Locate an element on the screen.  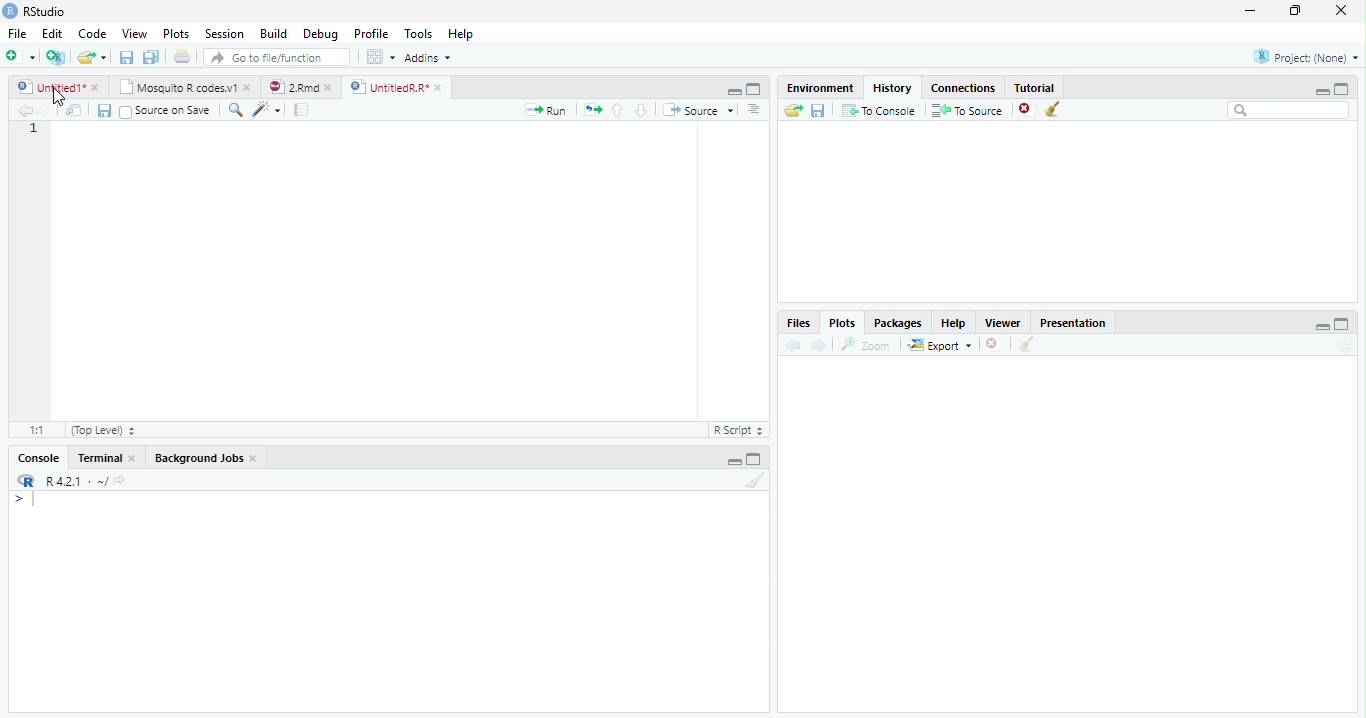
Build is located at coordinates (277, 34).